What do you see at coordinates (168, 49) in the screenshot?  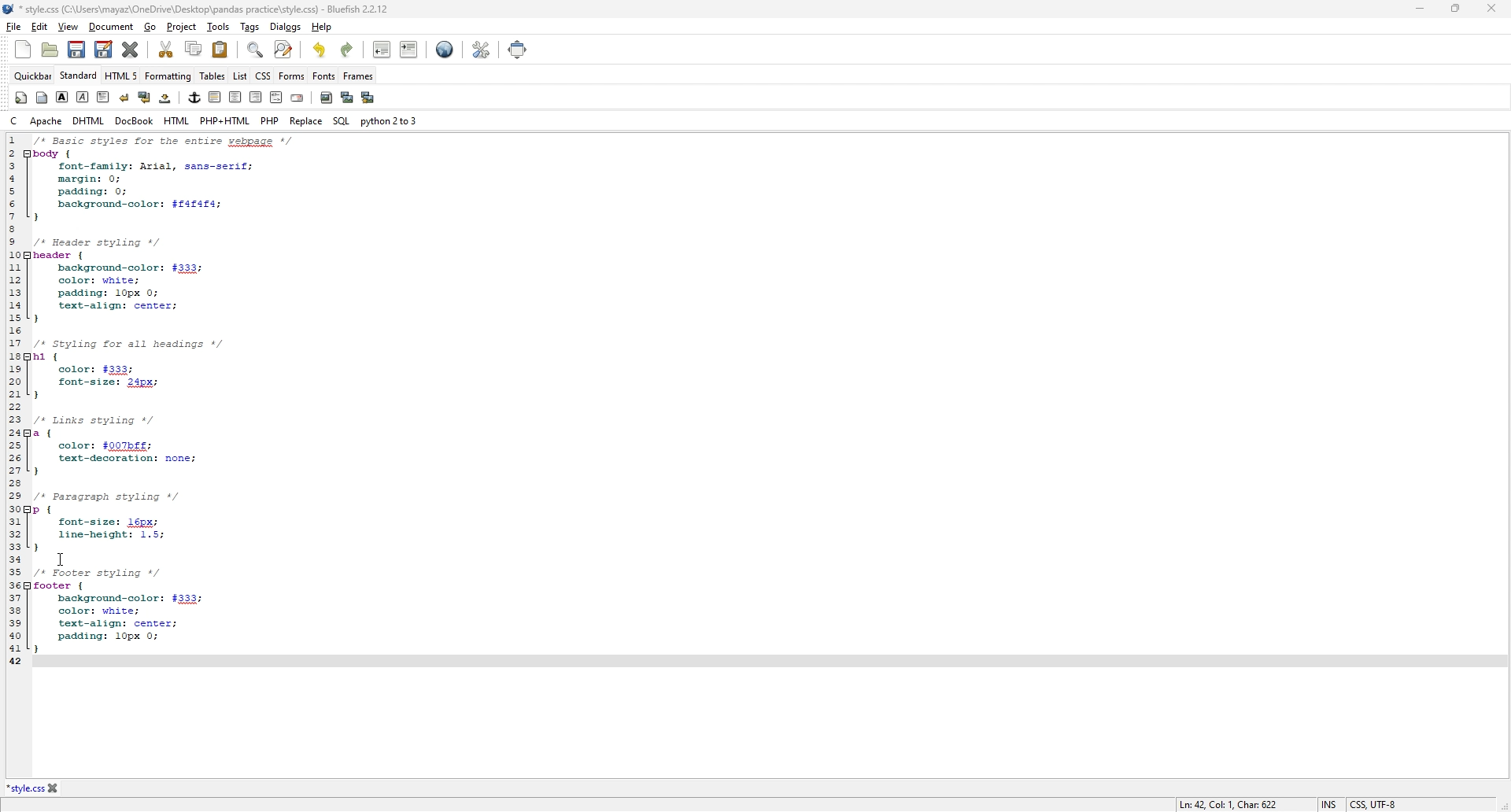 I see `cut` at bounding box center [168, 49].